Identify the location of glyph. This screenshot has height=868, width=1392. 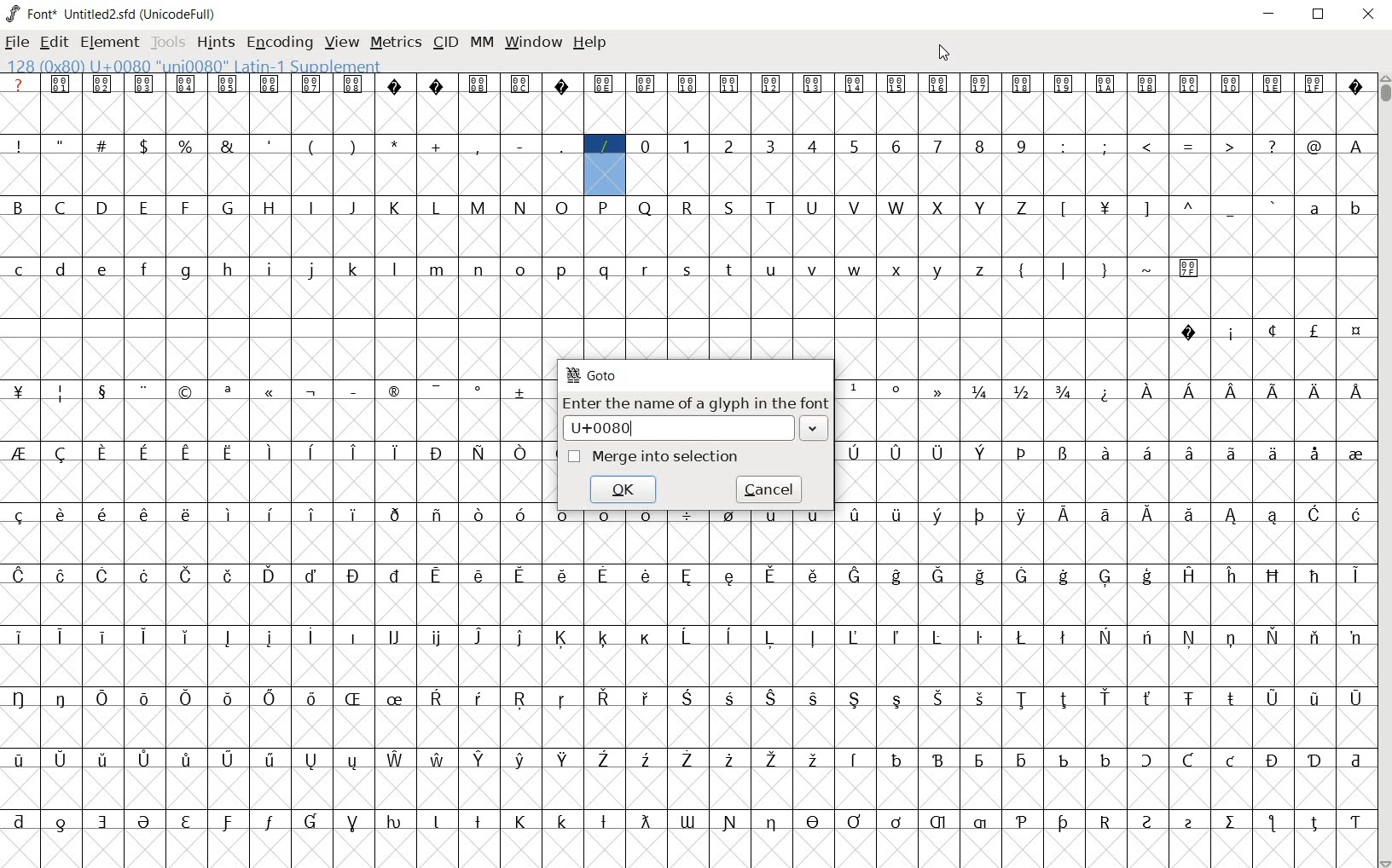
(354, 84).